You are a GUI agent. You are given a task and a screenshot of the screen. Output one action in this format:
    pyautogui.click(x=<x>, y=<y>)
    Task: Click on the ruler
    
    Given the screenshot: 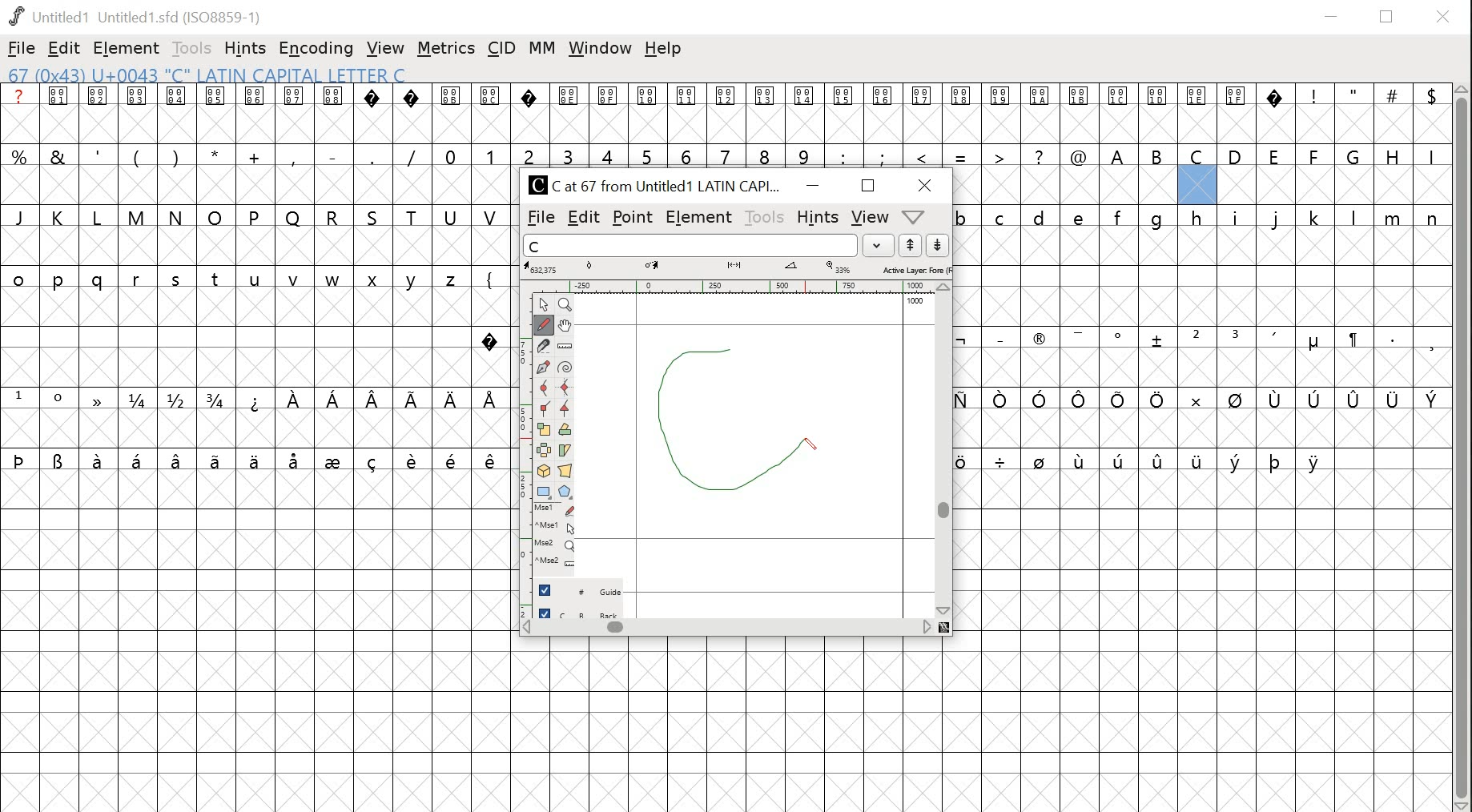 What is the action you would take?
    pyautogui.click(x=567, y=347)
    